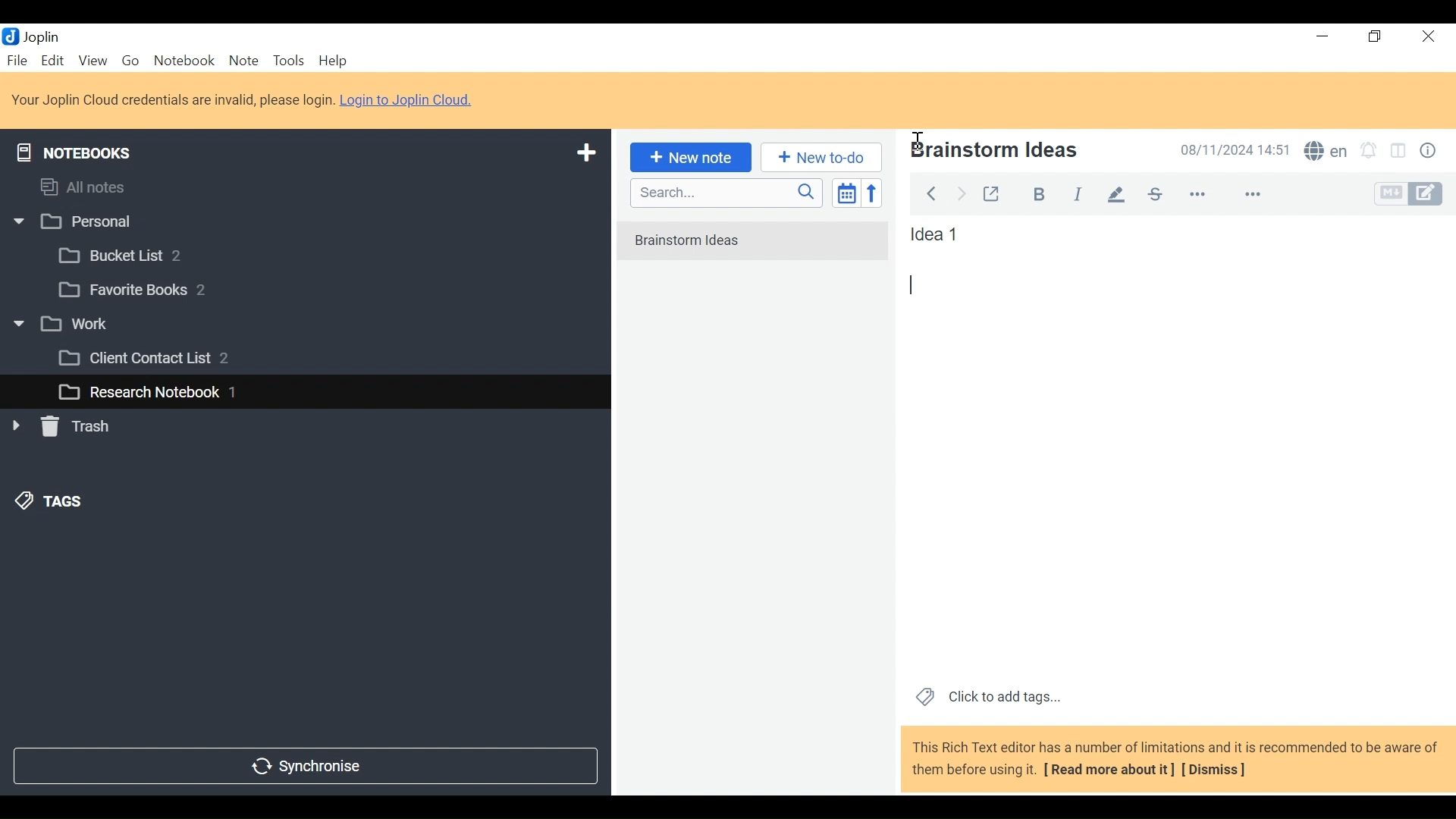  What do you see at coordinates (1376, 37) in the screenshot?
I see `Restore` at bounding box center [1376, 37].